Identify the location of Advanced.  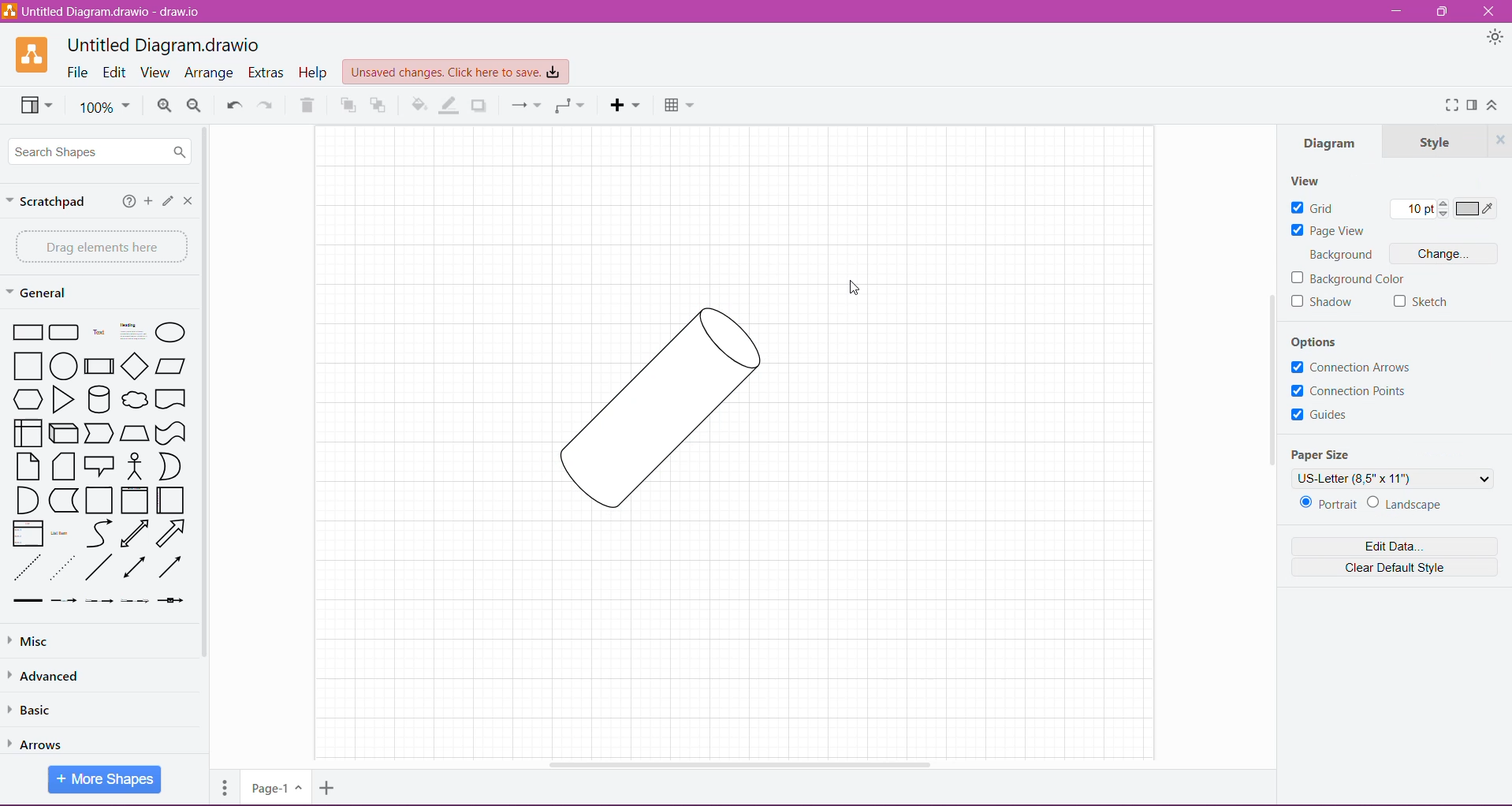
(50, 675).